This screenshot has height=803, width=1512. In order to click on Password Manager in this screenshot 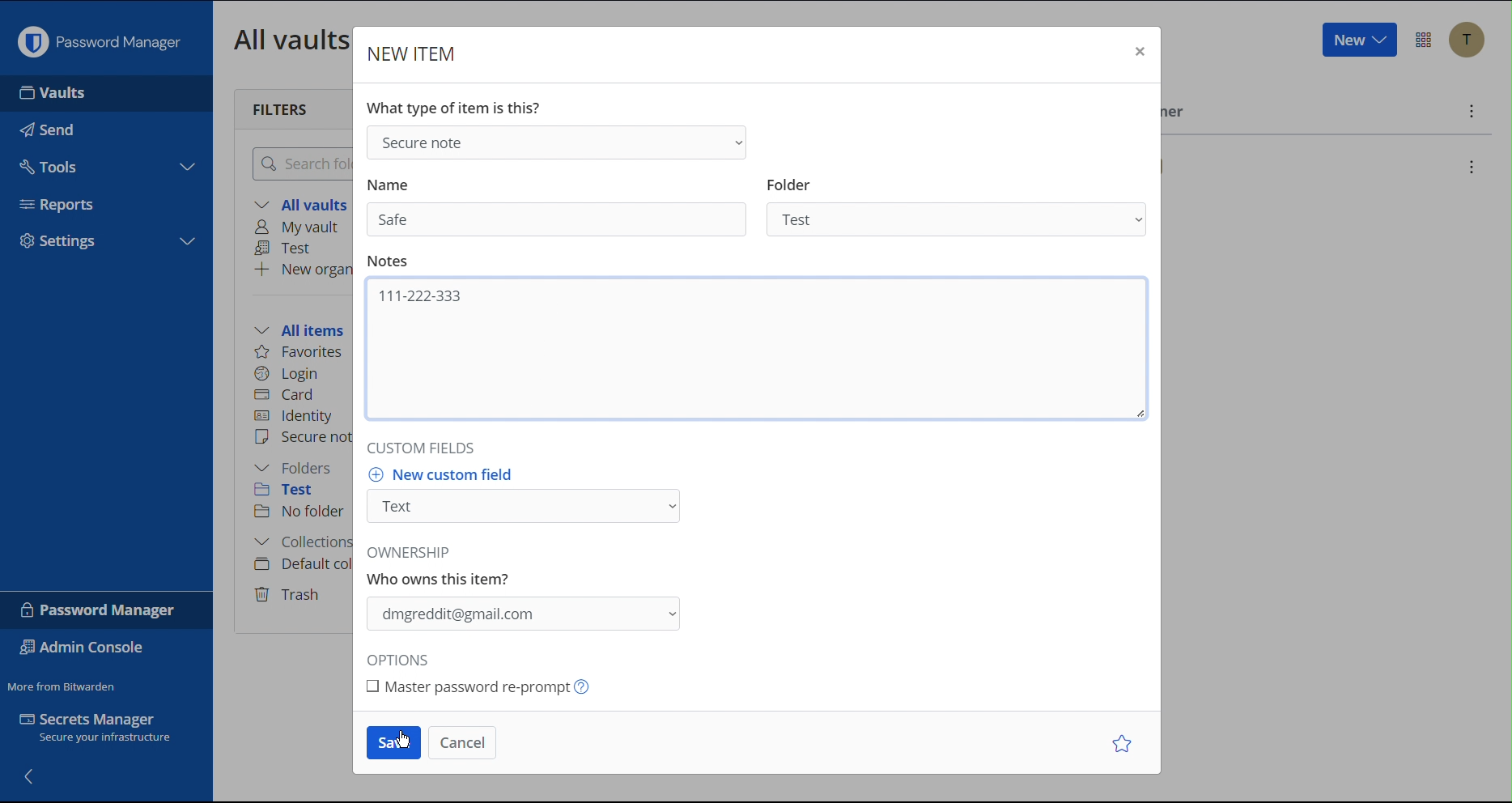, I will do `click(99, 38)`.